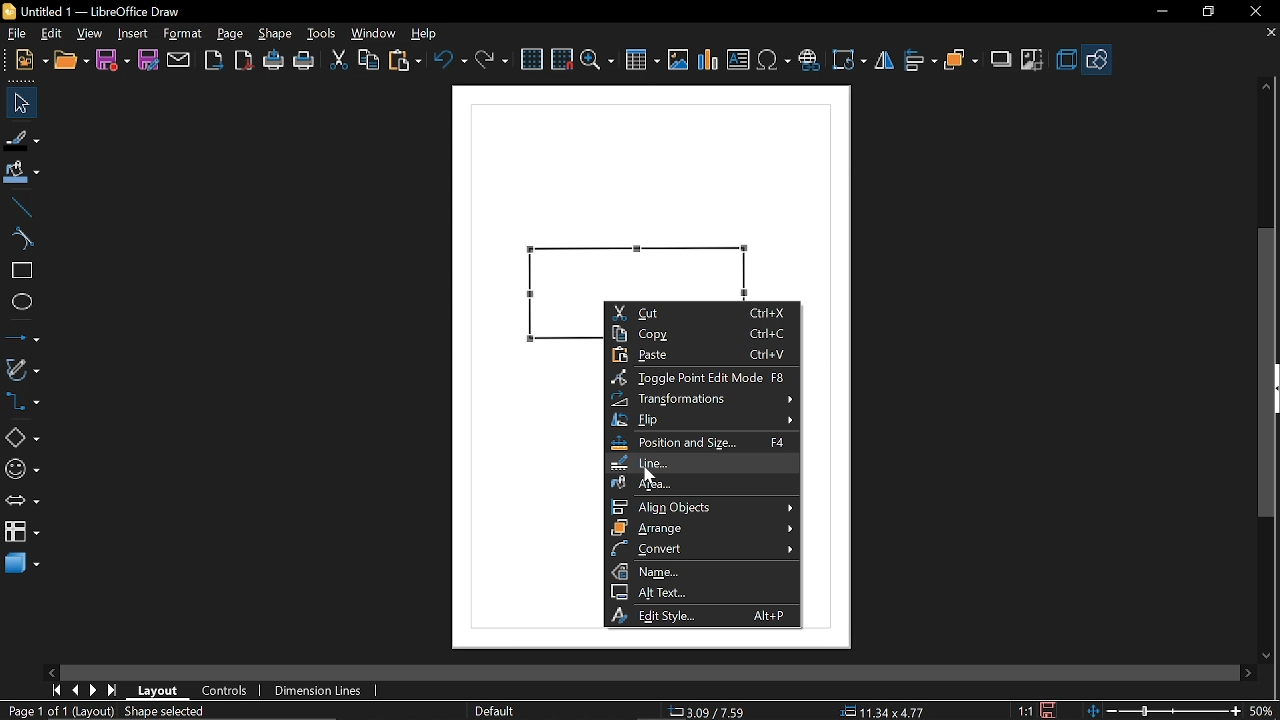 The height and width of the screenshot is (720, 1280). Describe the element at coordinates (148, 60) in the screenshot. I see `save as` at that location.